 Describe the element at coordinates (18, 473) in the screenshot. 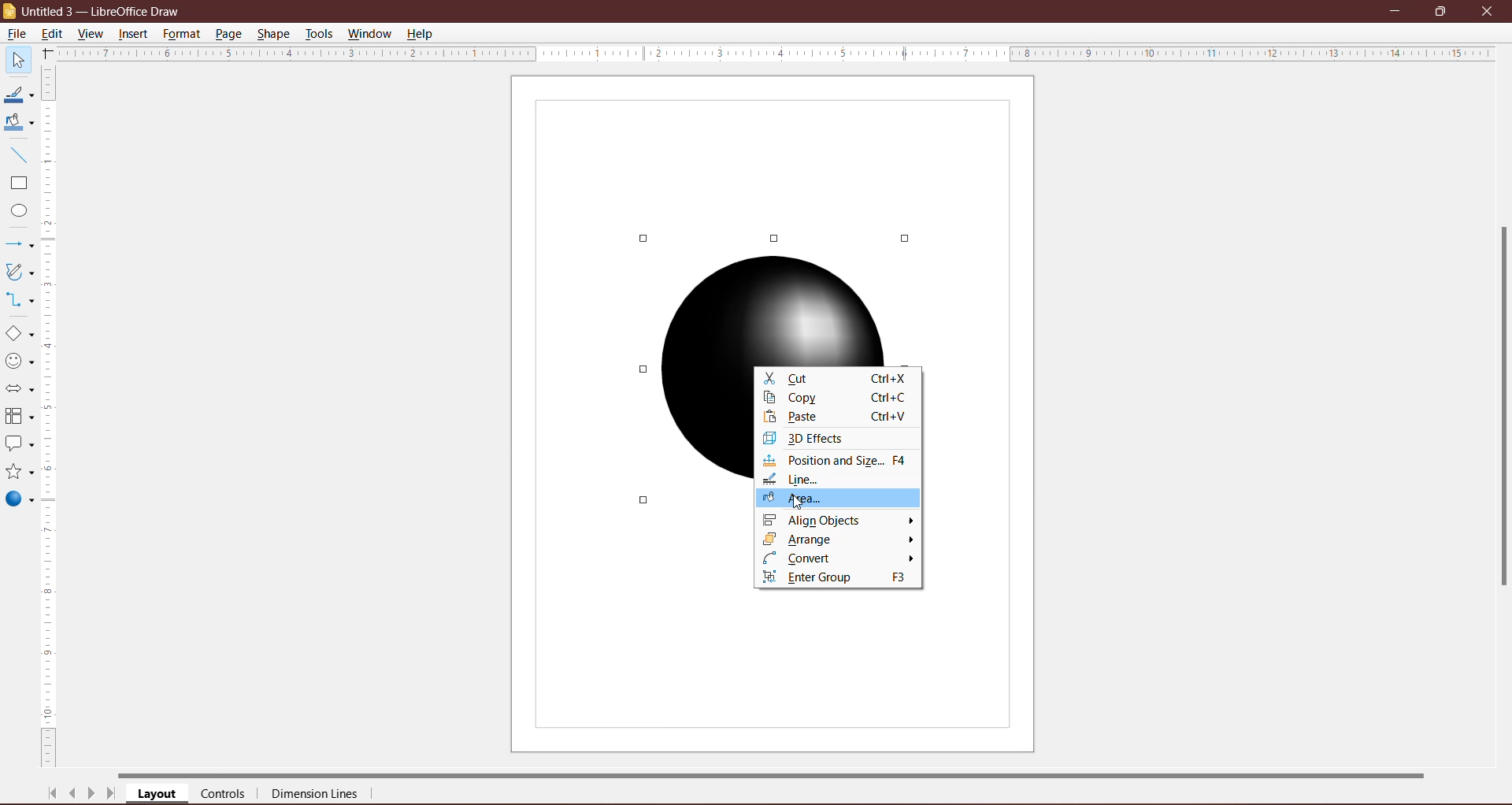

I see `Stars and Banners` at that location.